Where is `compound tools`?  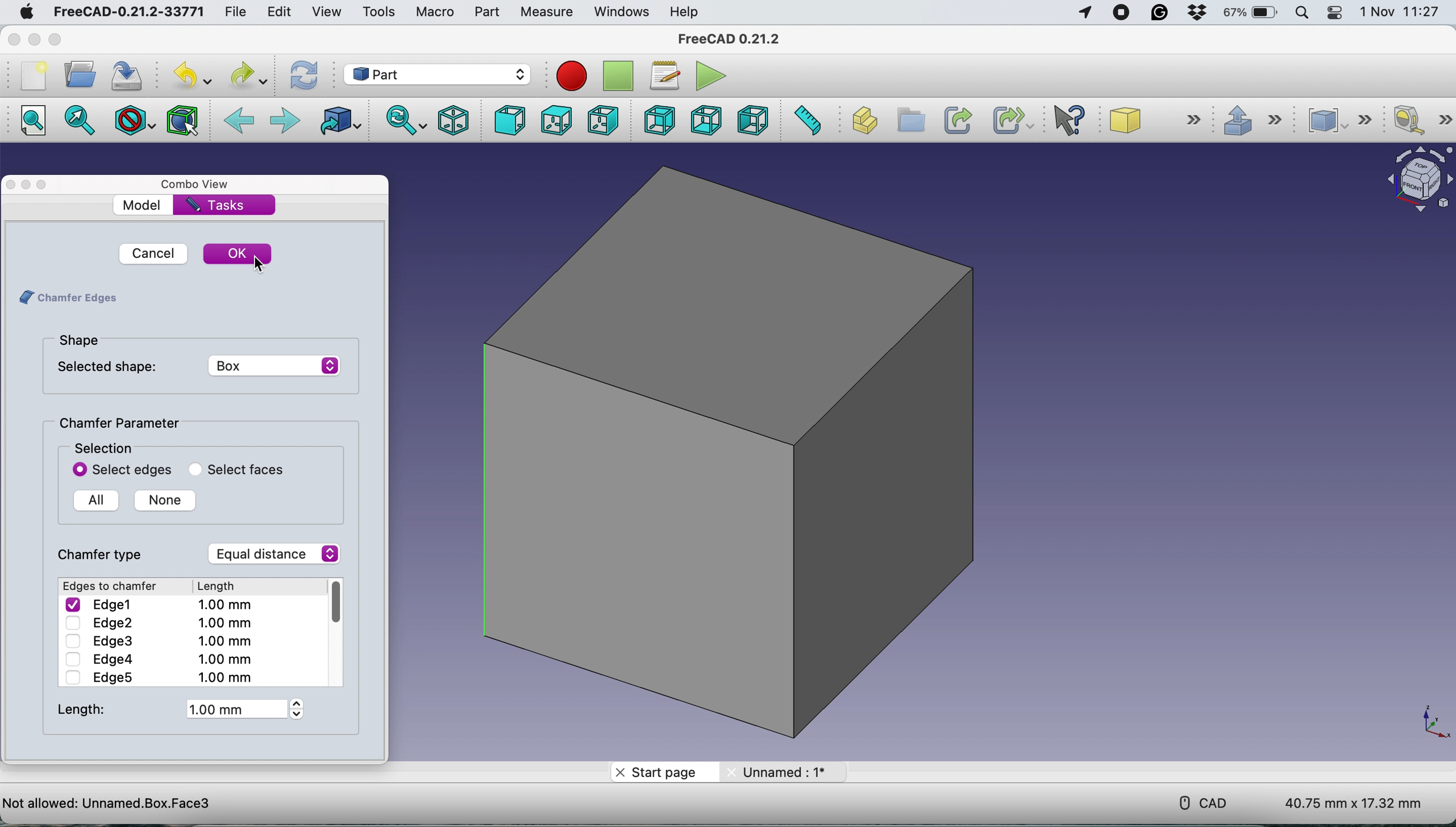
compound tools is located at coordinates (1336, 120).